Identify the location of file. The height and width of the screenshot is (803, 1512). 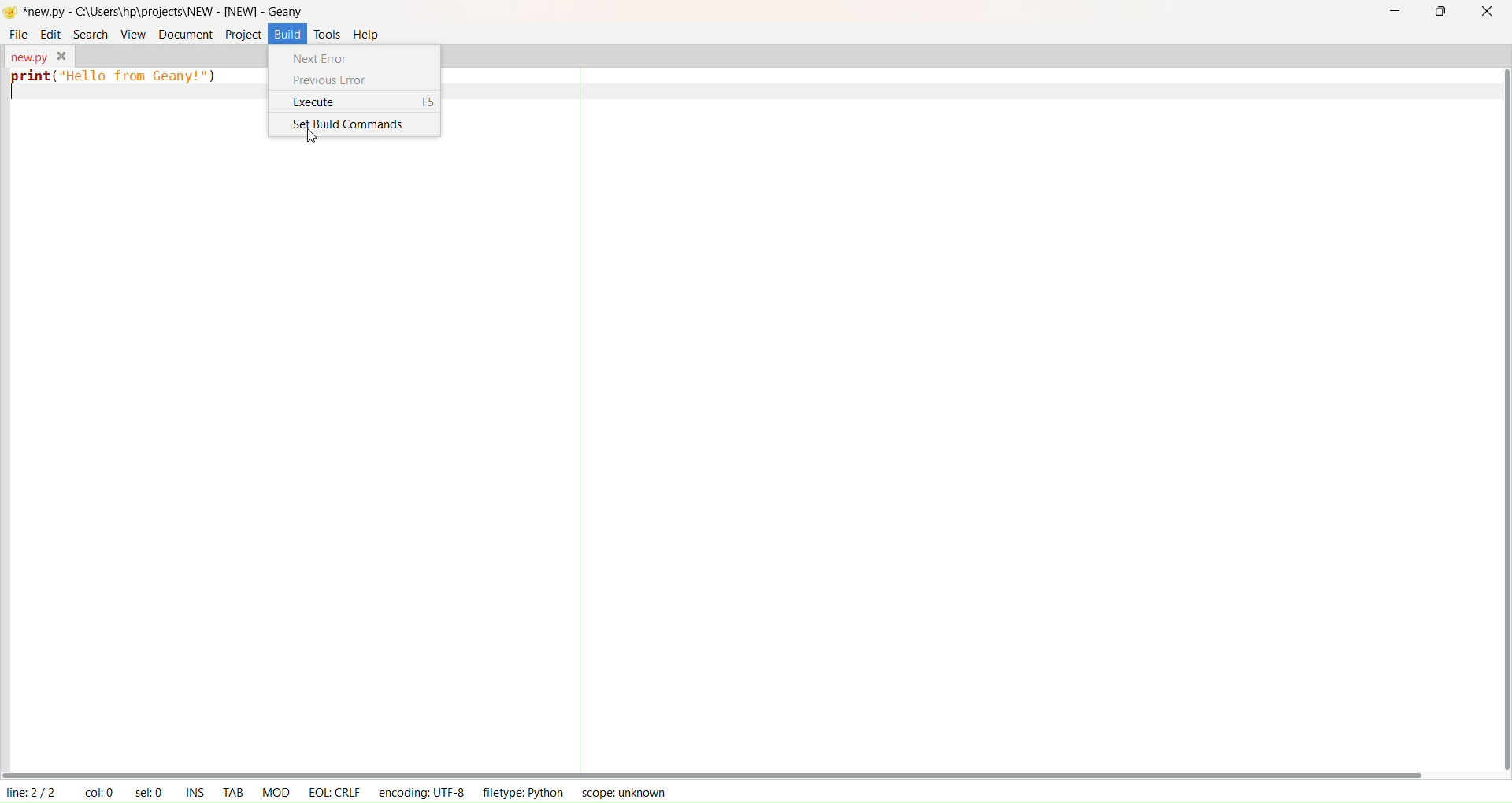
(19, 34).